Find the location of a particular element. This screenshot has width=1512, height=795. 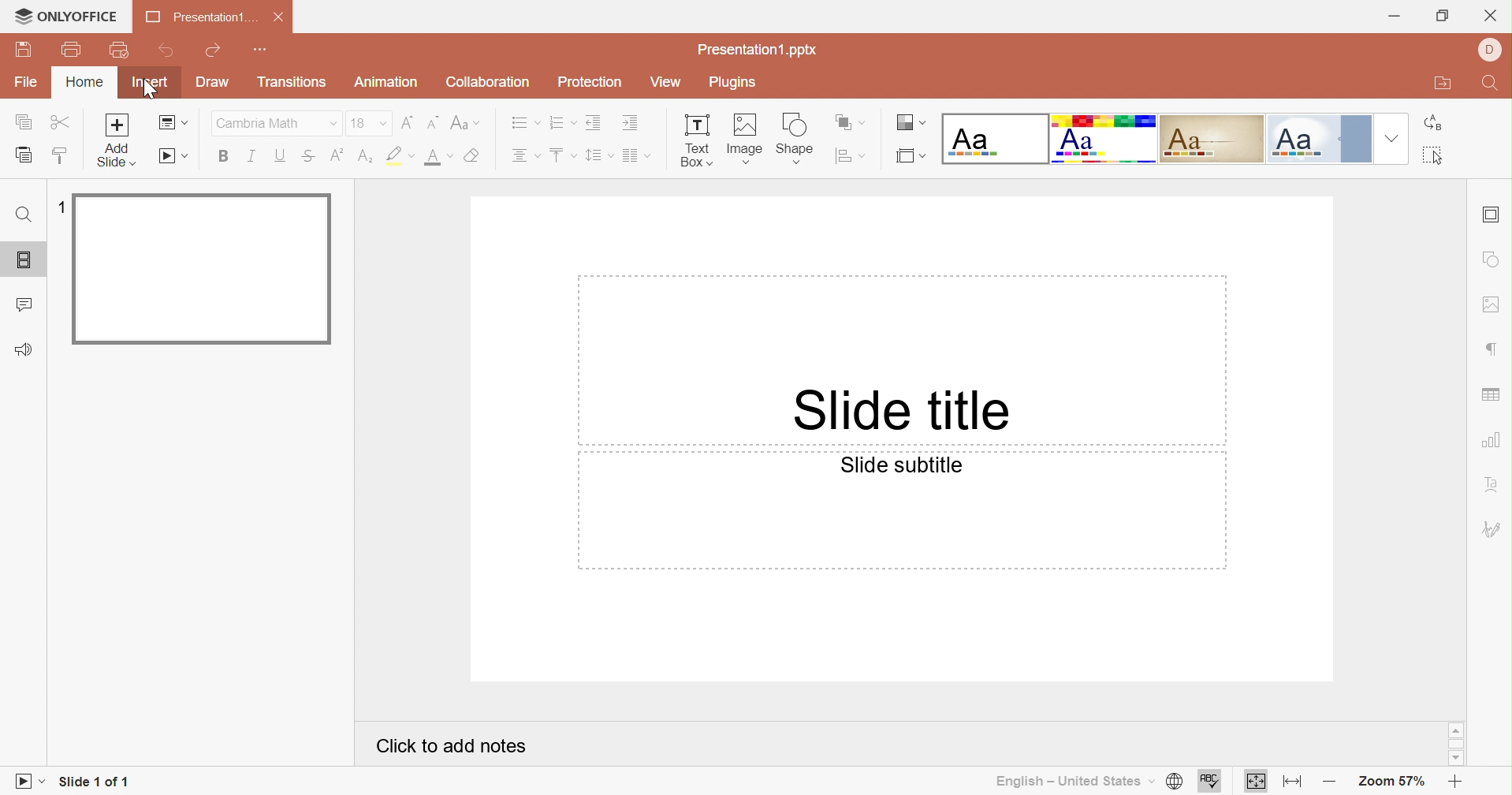

Copy style is located at coordinates (61, 157).